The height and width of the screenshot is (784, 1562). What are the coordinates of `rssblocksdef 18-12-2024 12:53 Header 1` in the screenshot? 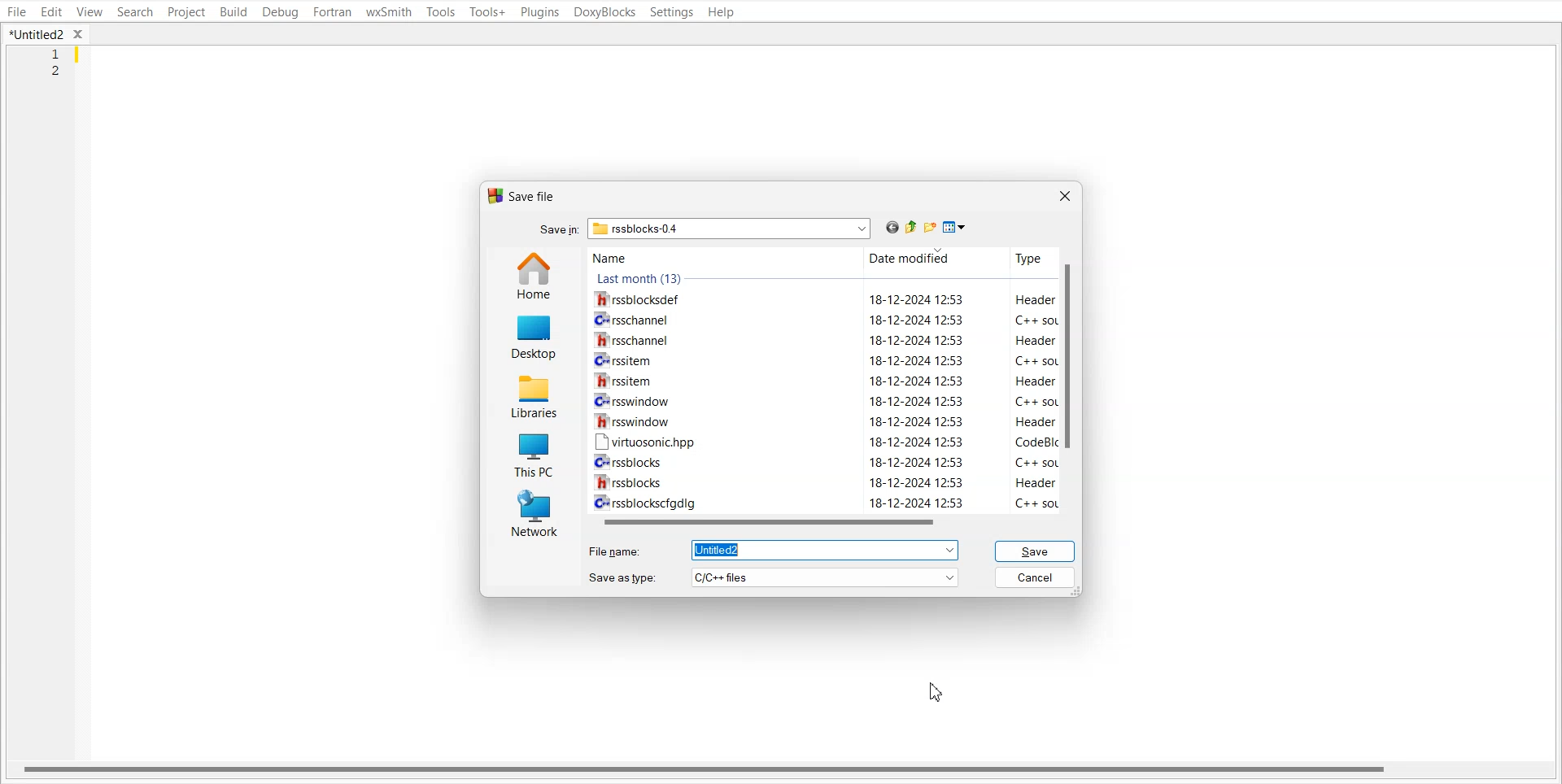 It's located at (822, 299).